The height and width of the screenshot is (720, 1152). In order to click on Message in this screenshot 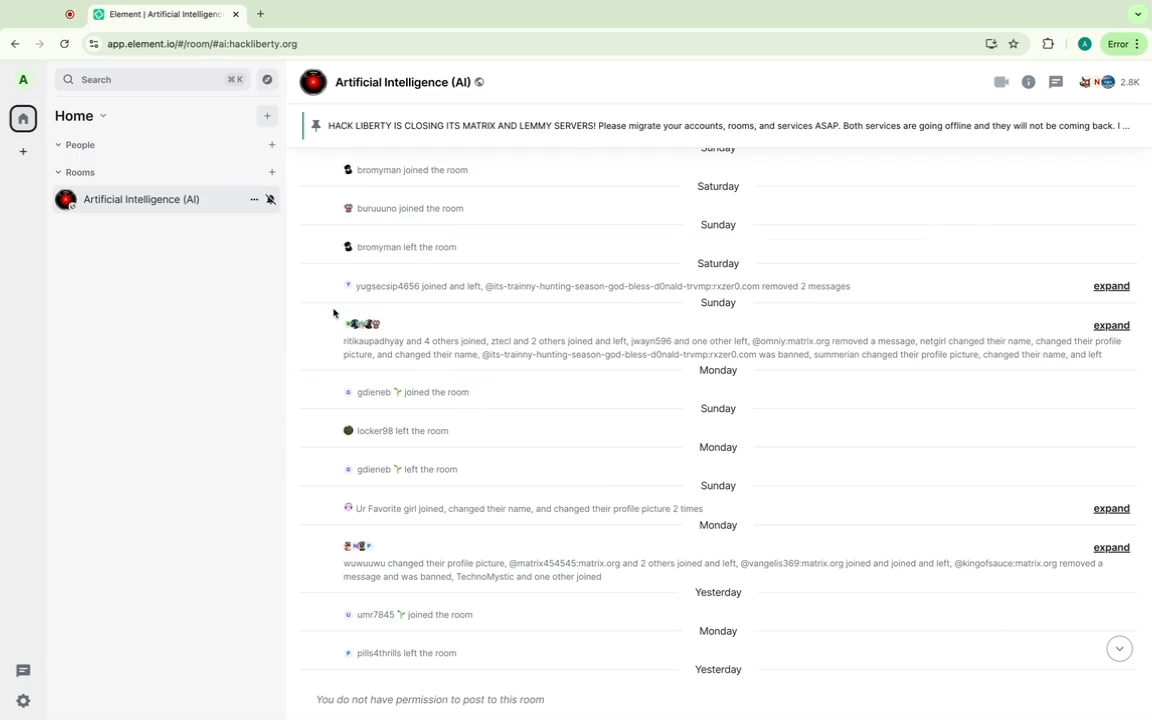, I will do `click(433, 172)`.